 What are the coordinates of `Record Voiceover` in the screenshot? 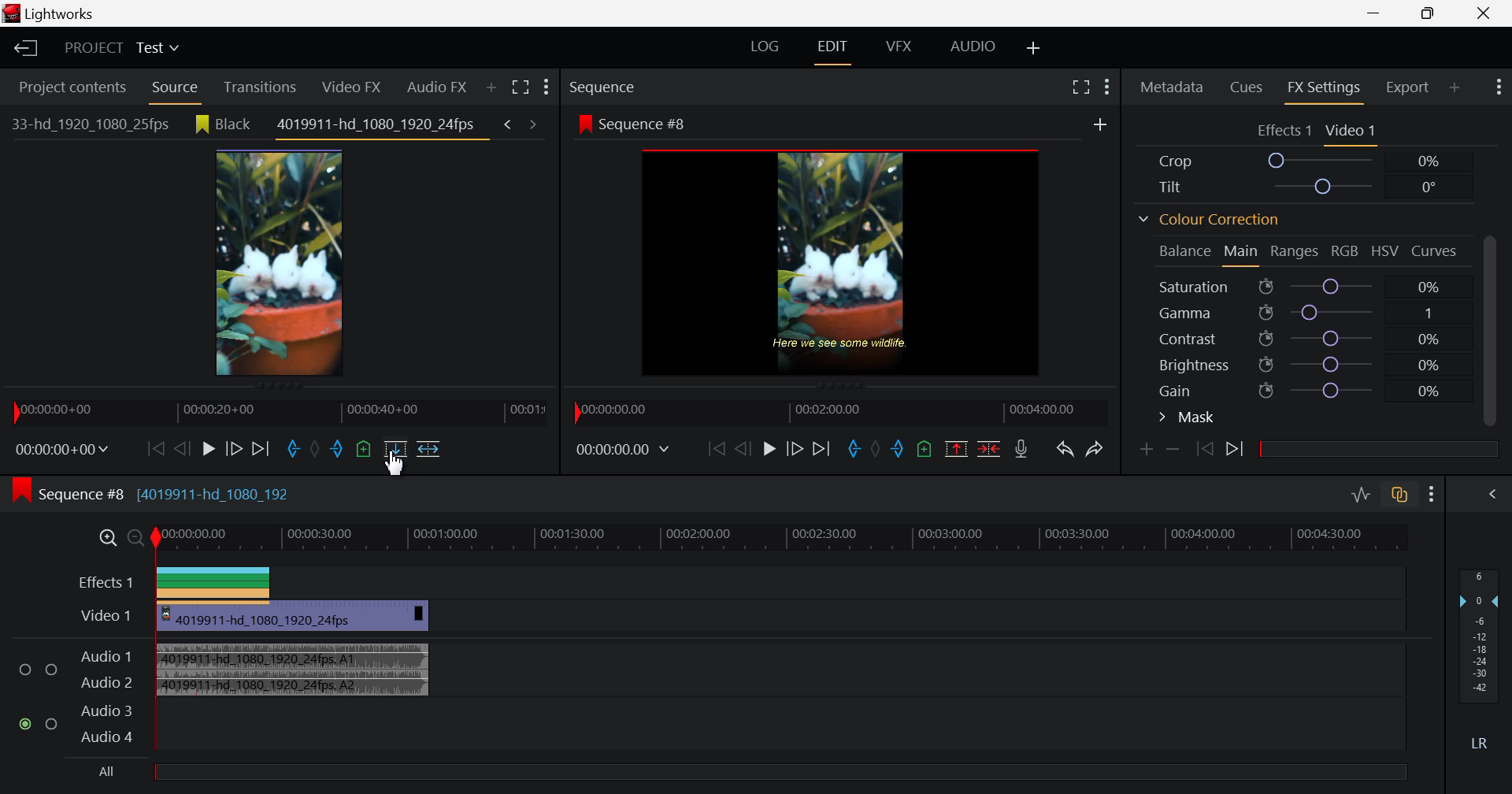 It's located at (1022, 451).